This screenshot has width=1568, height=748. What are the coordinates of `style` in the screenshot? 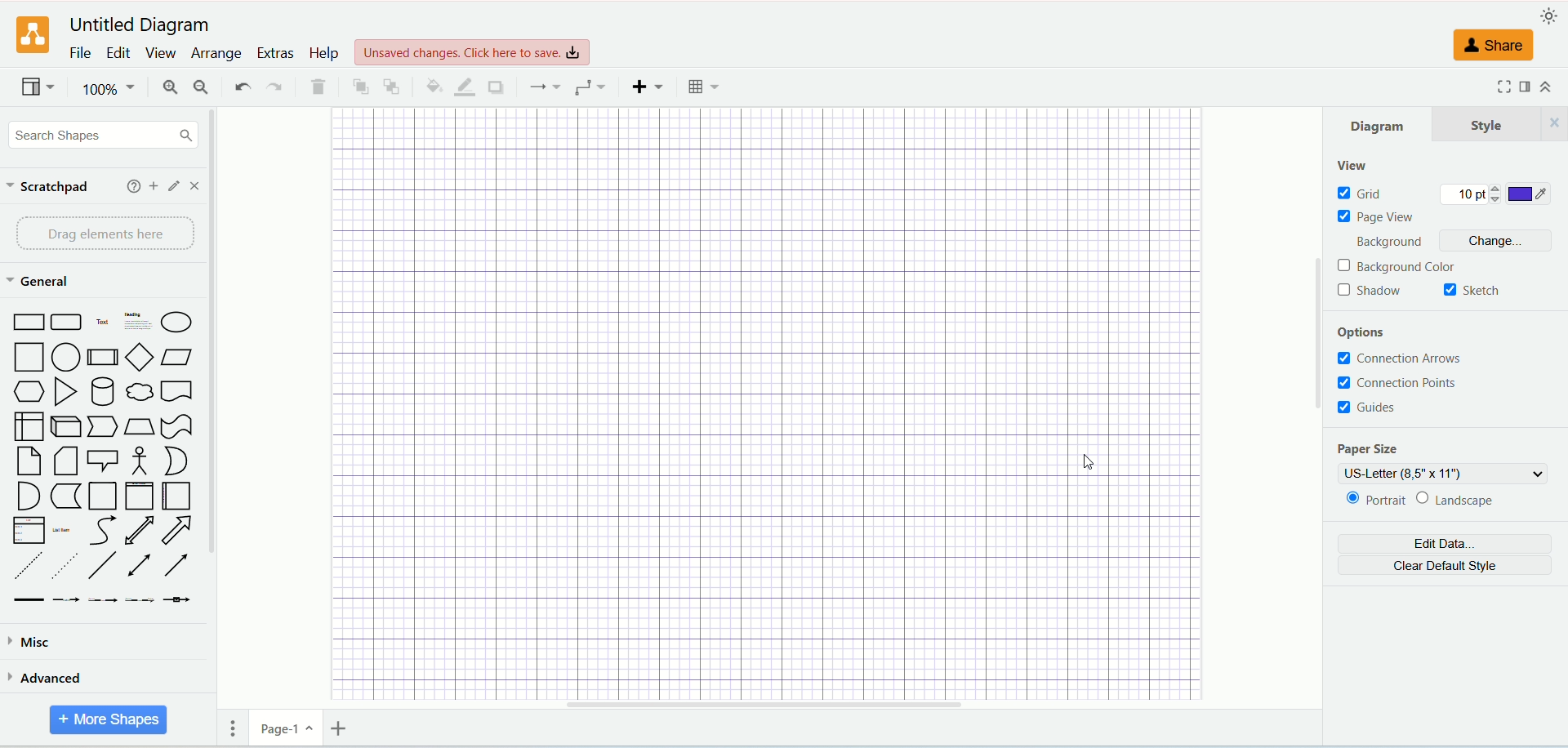 It's located at (1500, 123).